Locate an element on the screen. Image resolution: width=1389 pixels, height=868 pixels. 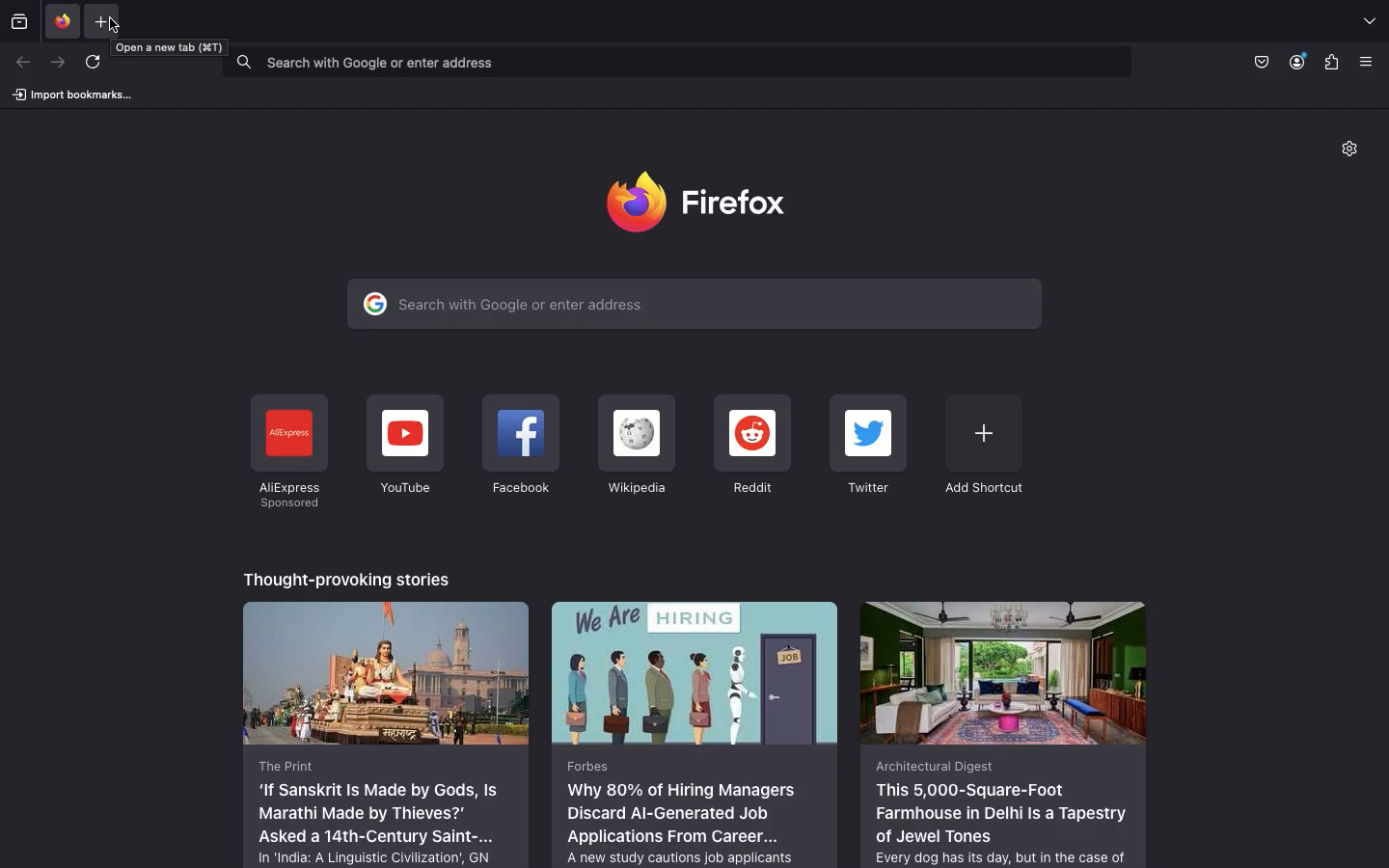
Thought-provoking stories is located at coordinates (349, 577).